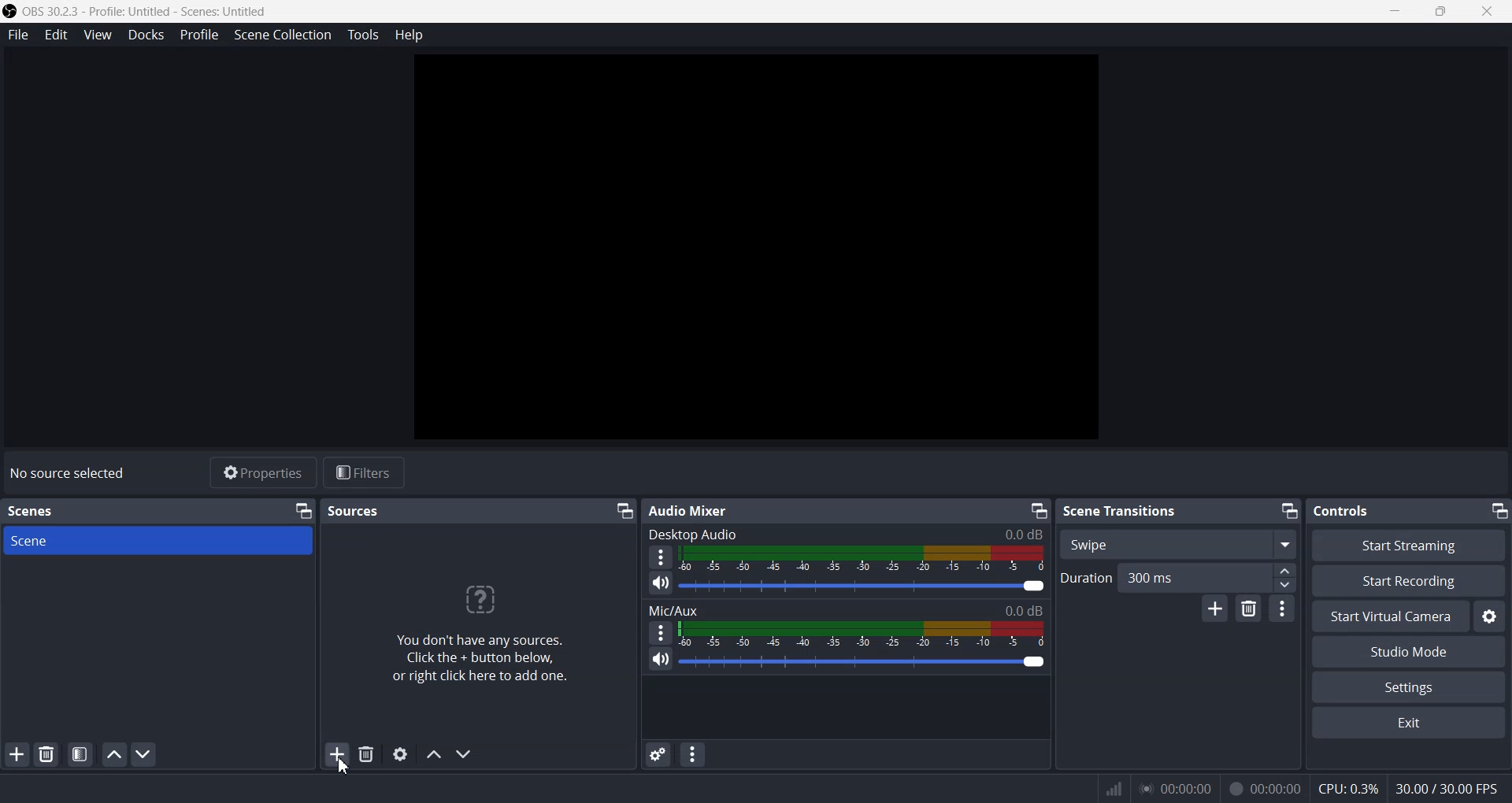  Describe the element at coordinates (1348, 787) in the screenshot. I see `CPU: 0.3%` at that location.